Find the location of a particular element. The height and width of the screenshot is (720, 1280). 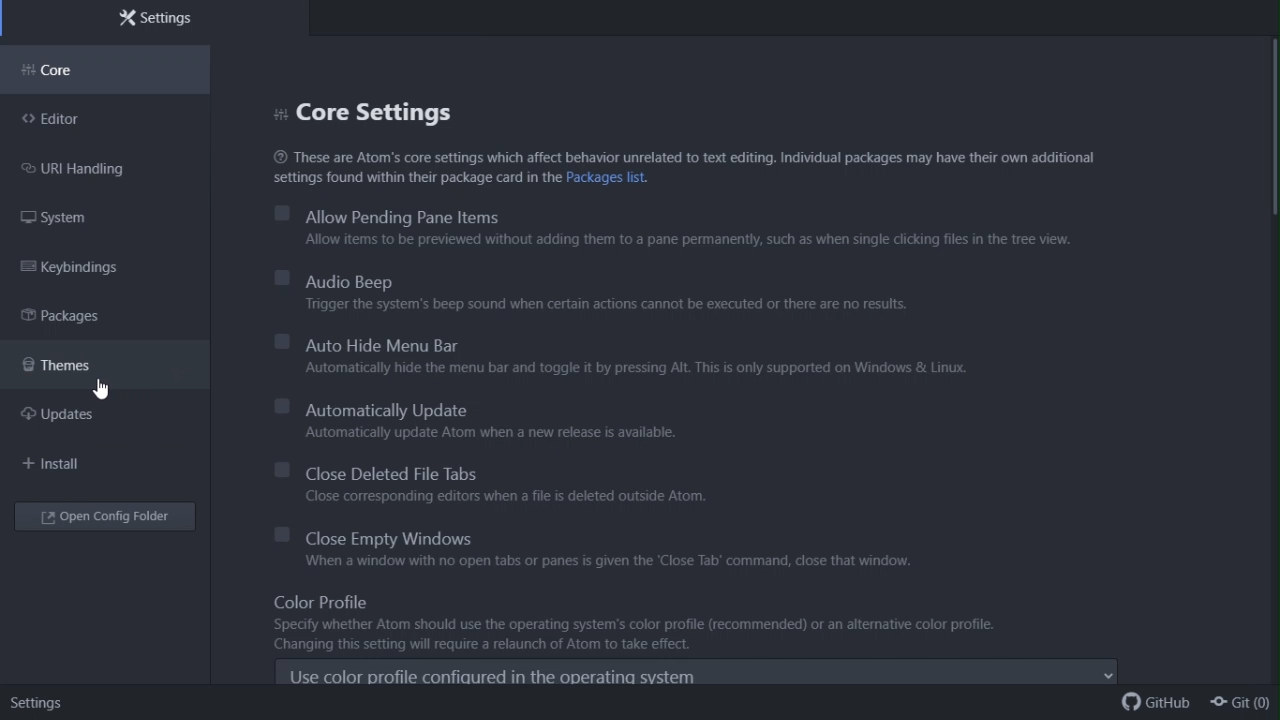

git is located at coordinates (1242, 703).